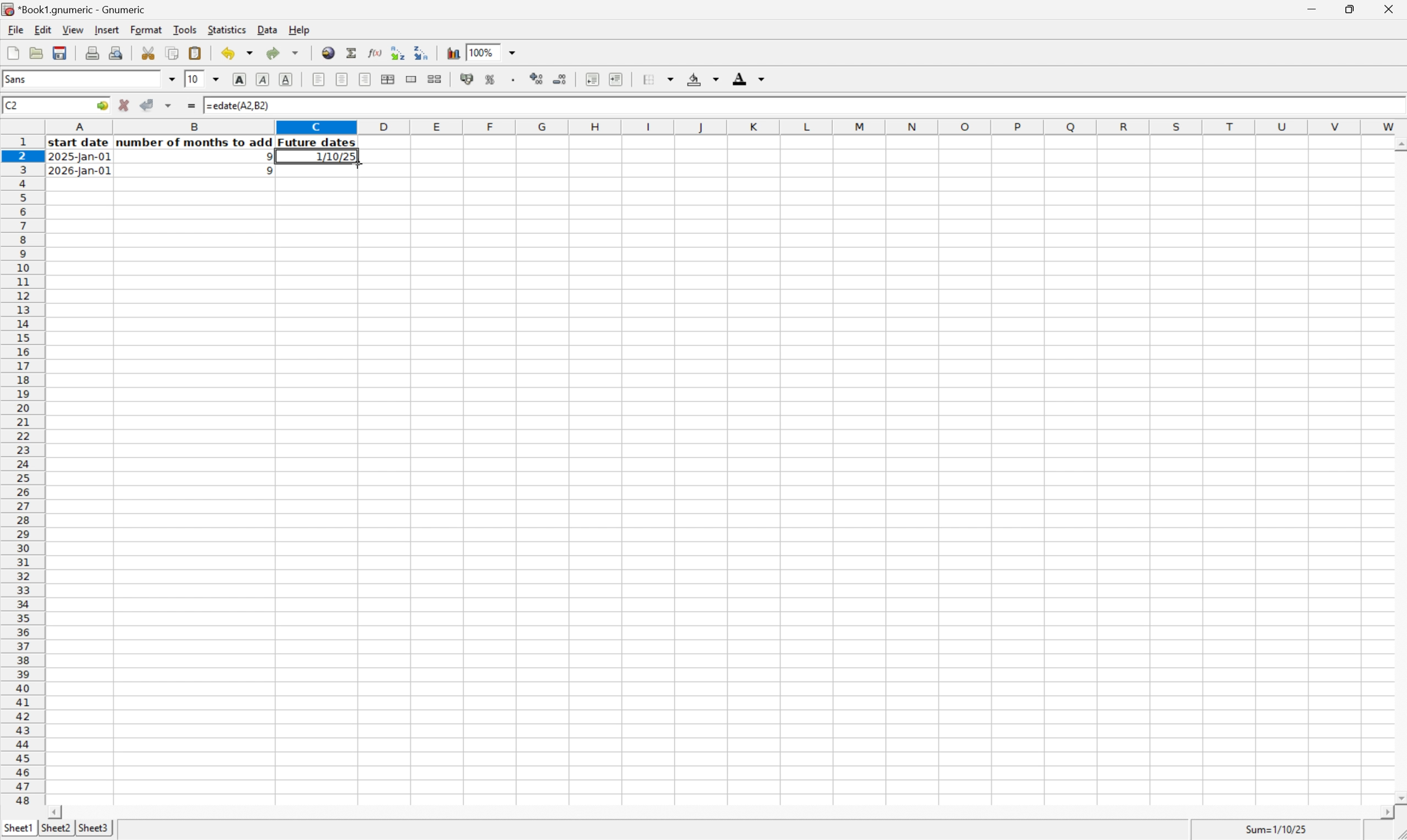  I want to click on Center Horizontally, so click(342, 79).